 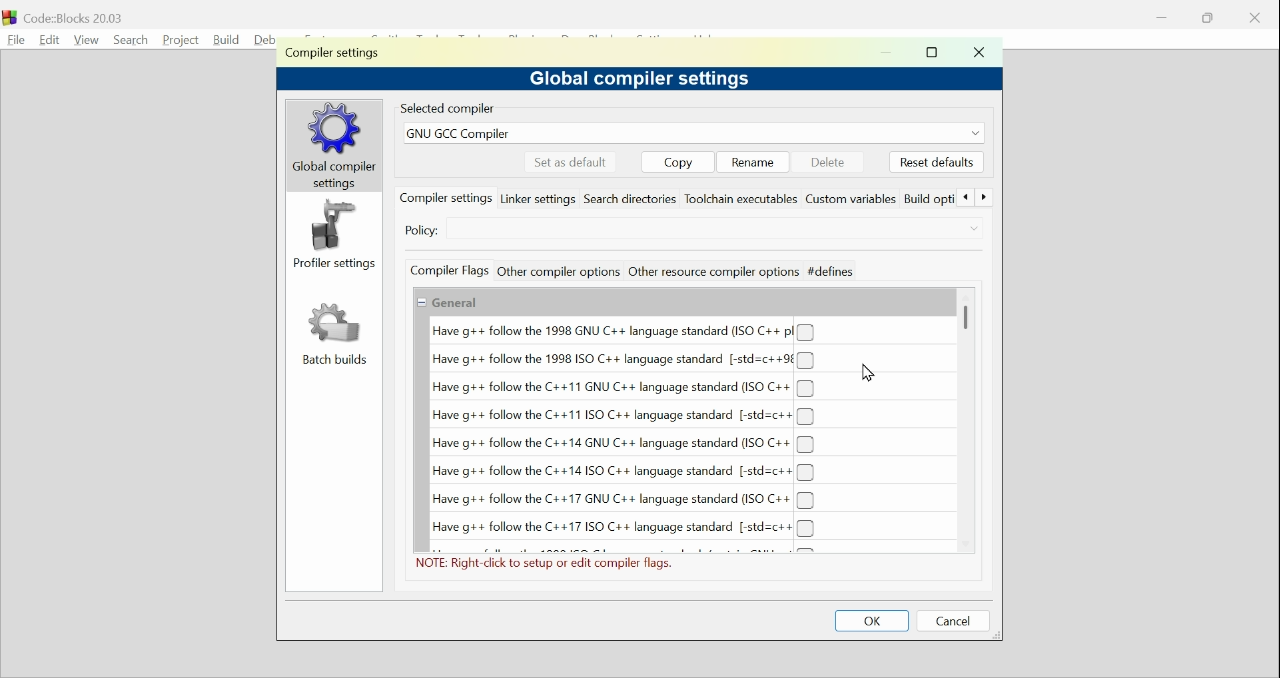 I want to click on Back, so click(x=965, y=199).